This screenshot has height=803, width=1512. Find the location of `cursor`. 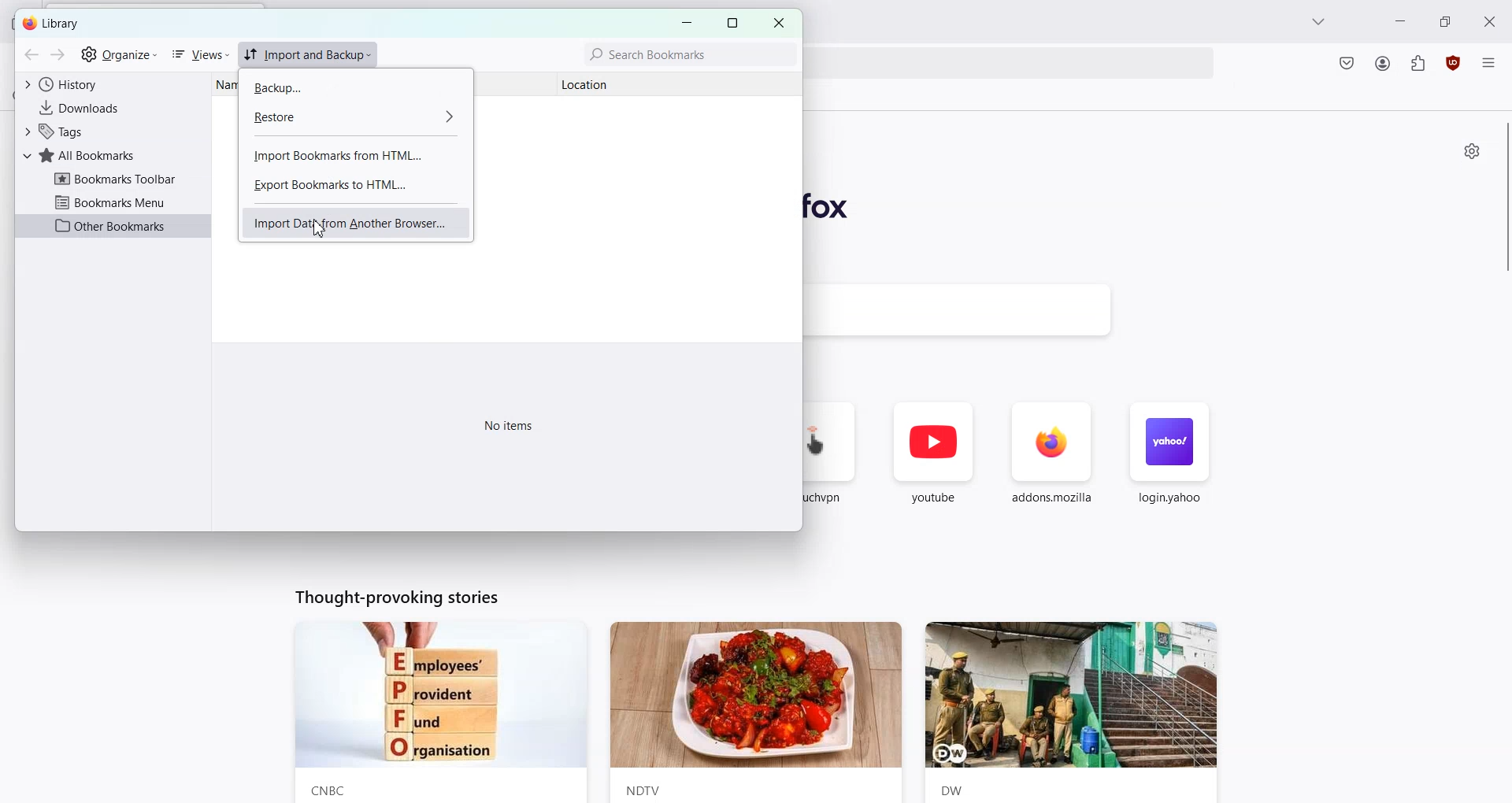

cursor is located at coordinates (318, 231).